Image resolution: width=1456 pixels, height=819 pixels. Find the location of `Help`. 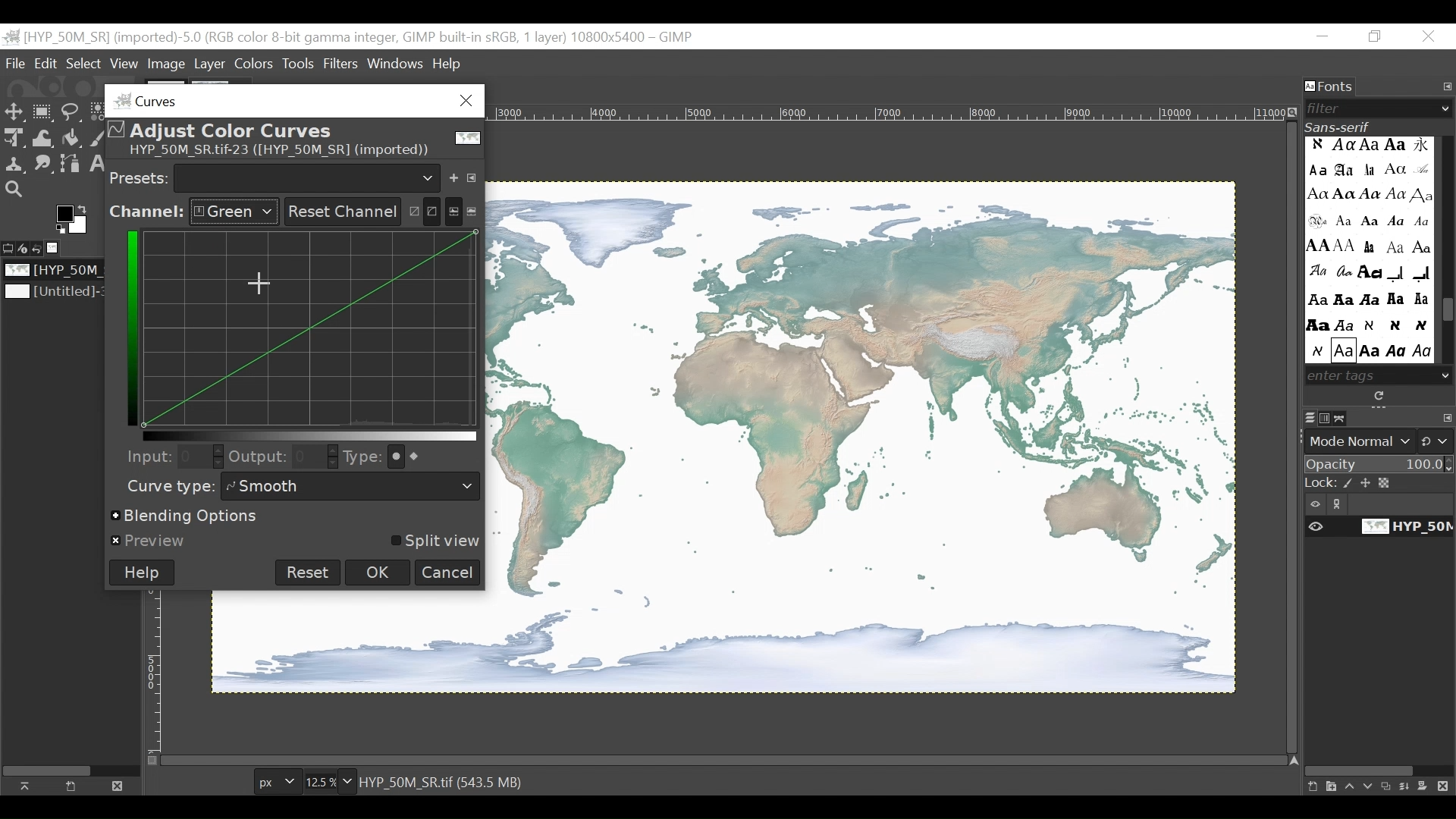

Help is located at coordinates (447, 65).